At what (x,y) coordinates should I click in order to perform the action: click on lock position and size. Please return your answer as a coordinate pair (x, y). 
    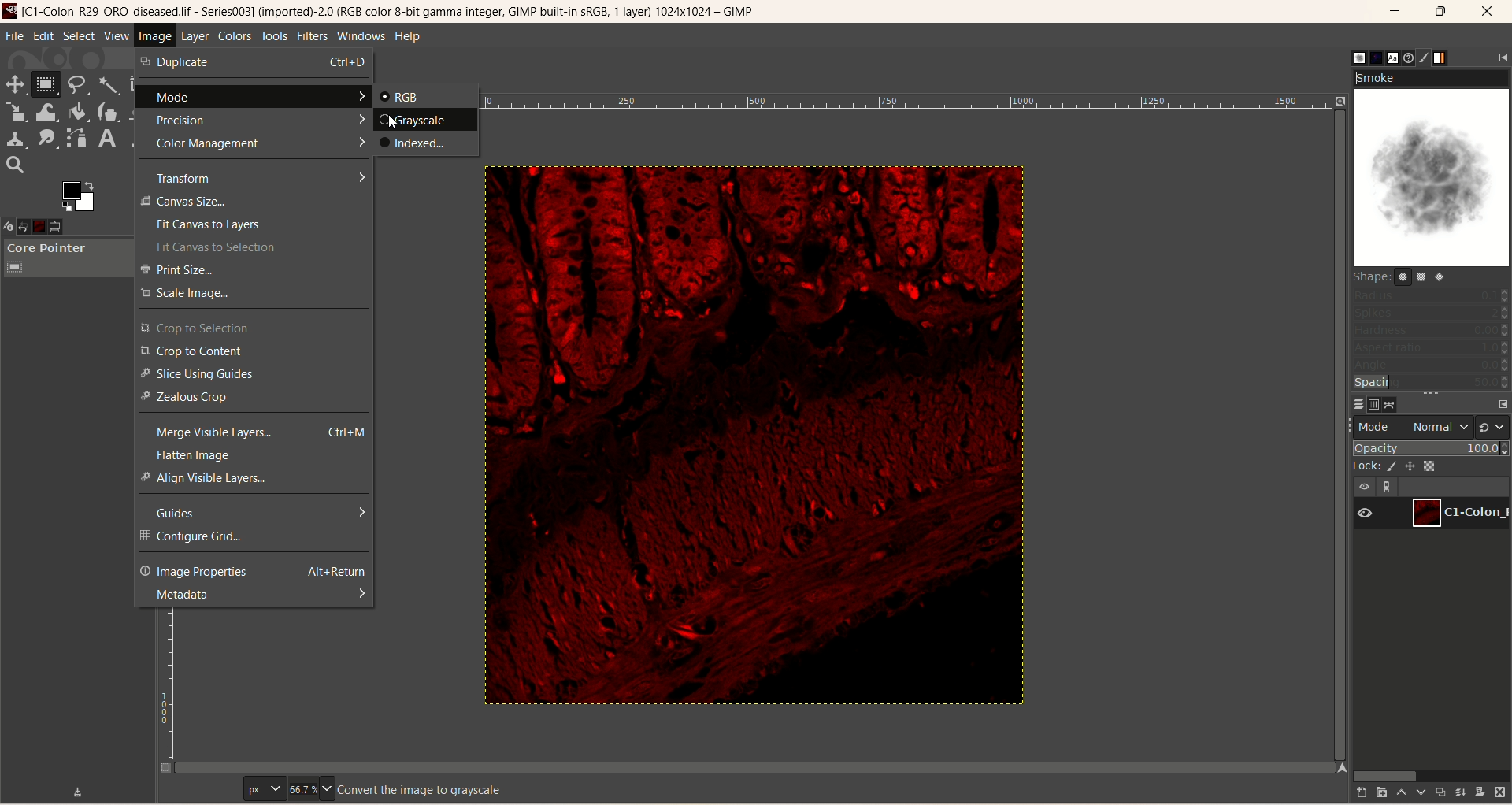
    Looking at the image, I should click on (1410, 467).